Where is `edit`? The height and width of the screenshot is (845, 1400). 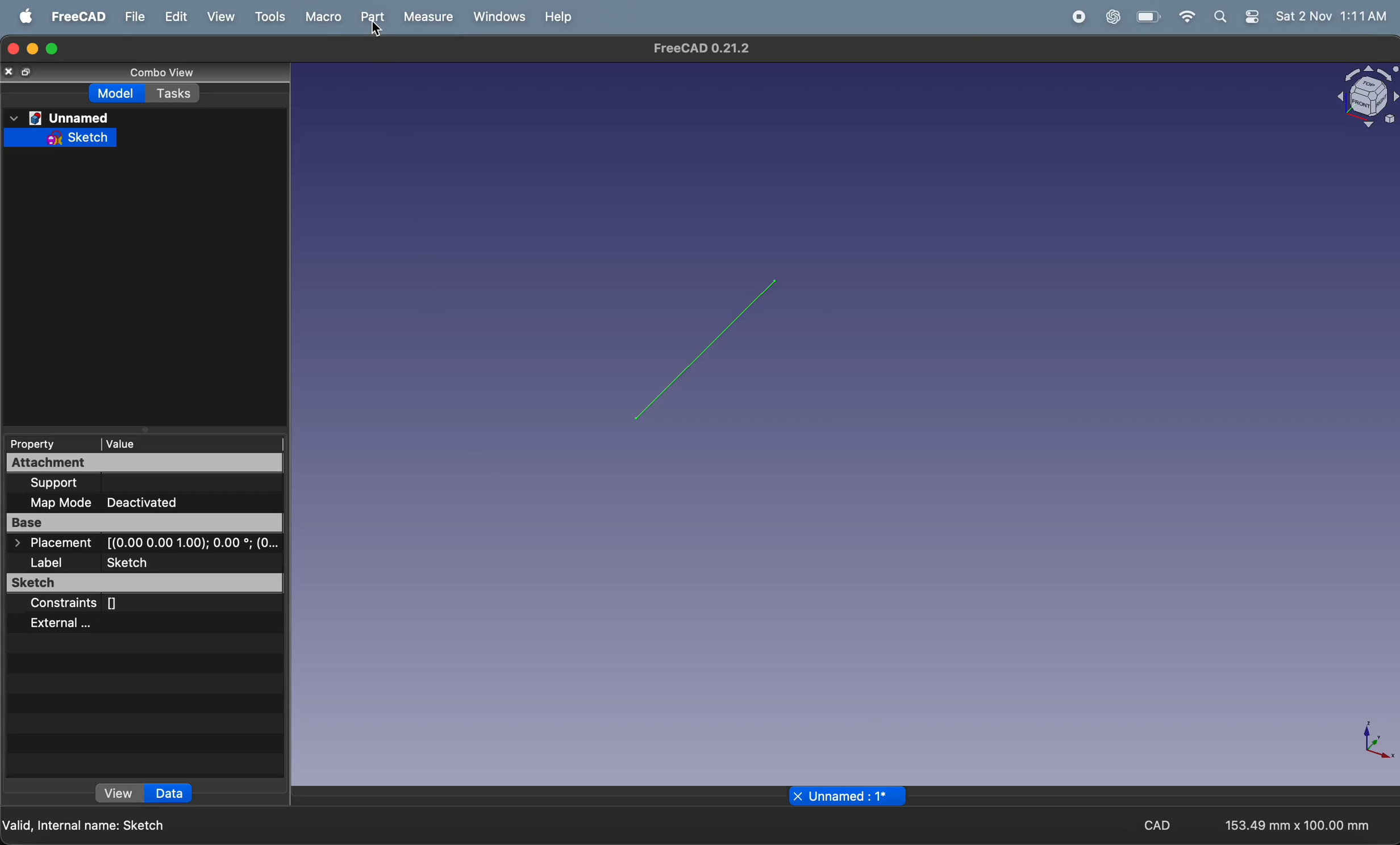
edit is located at coordinates (177, 17).